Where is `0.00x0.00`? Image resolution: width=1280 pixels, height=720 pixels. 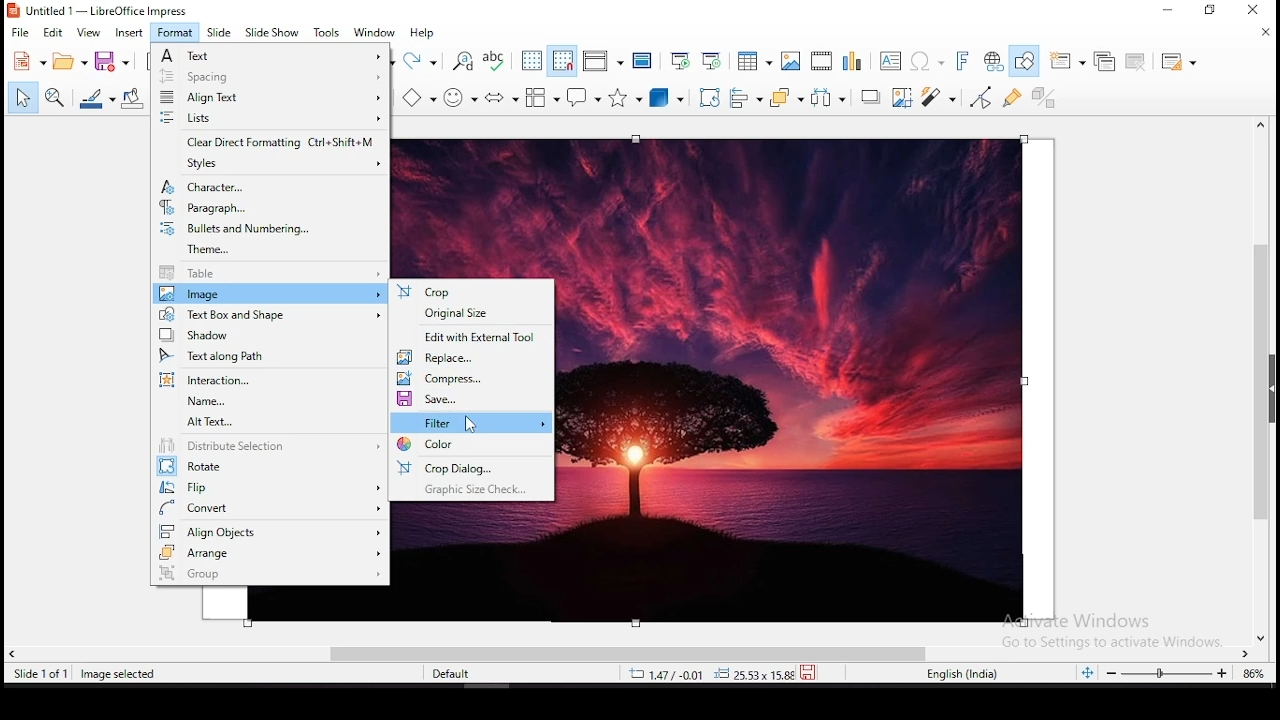
0.00x0.00 is located at coordinates (749, 674).